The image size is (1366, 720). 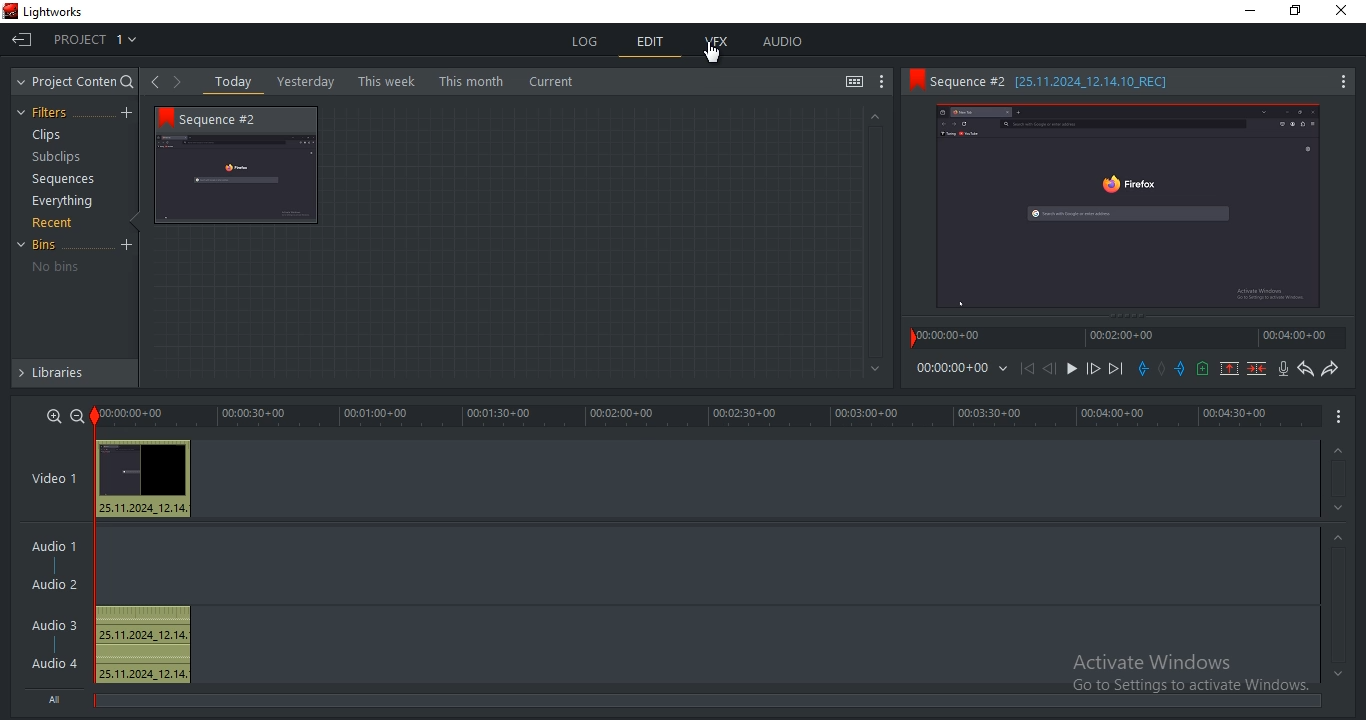 What do you see at coordinates (1027, 370) in the screenshot?
I see `move backward` at bounding box center [1027, 370].